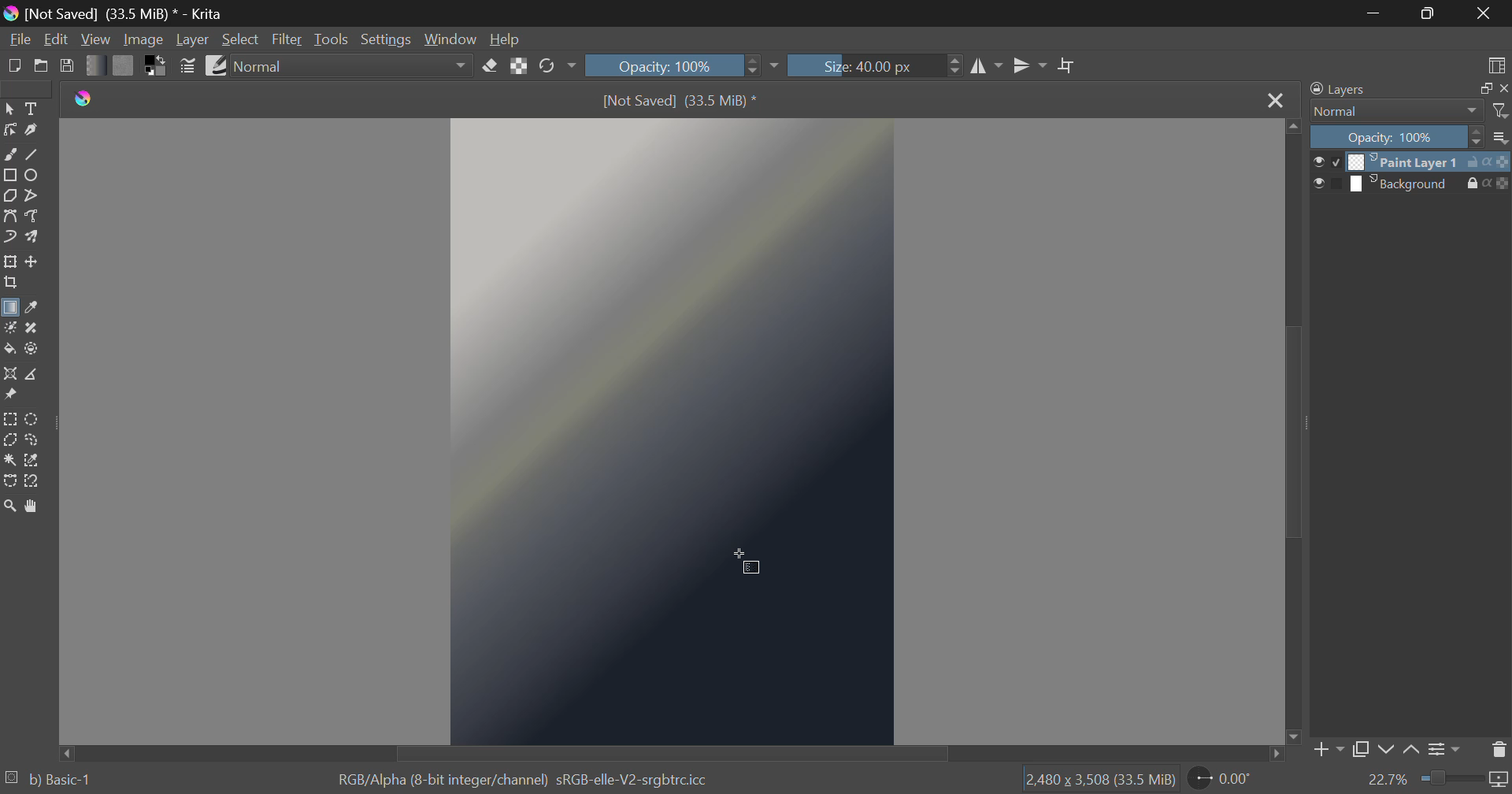 This screenshot has width=1512, height=794. Describe the element at coordinates (32, 461) in the screenshot. I see `Similar Color Selection` at that location.